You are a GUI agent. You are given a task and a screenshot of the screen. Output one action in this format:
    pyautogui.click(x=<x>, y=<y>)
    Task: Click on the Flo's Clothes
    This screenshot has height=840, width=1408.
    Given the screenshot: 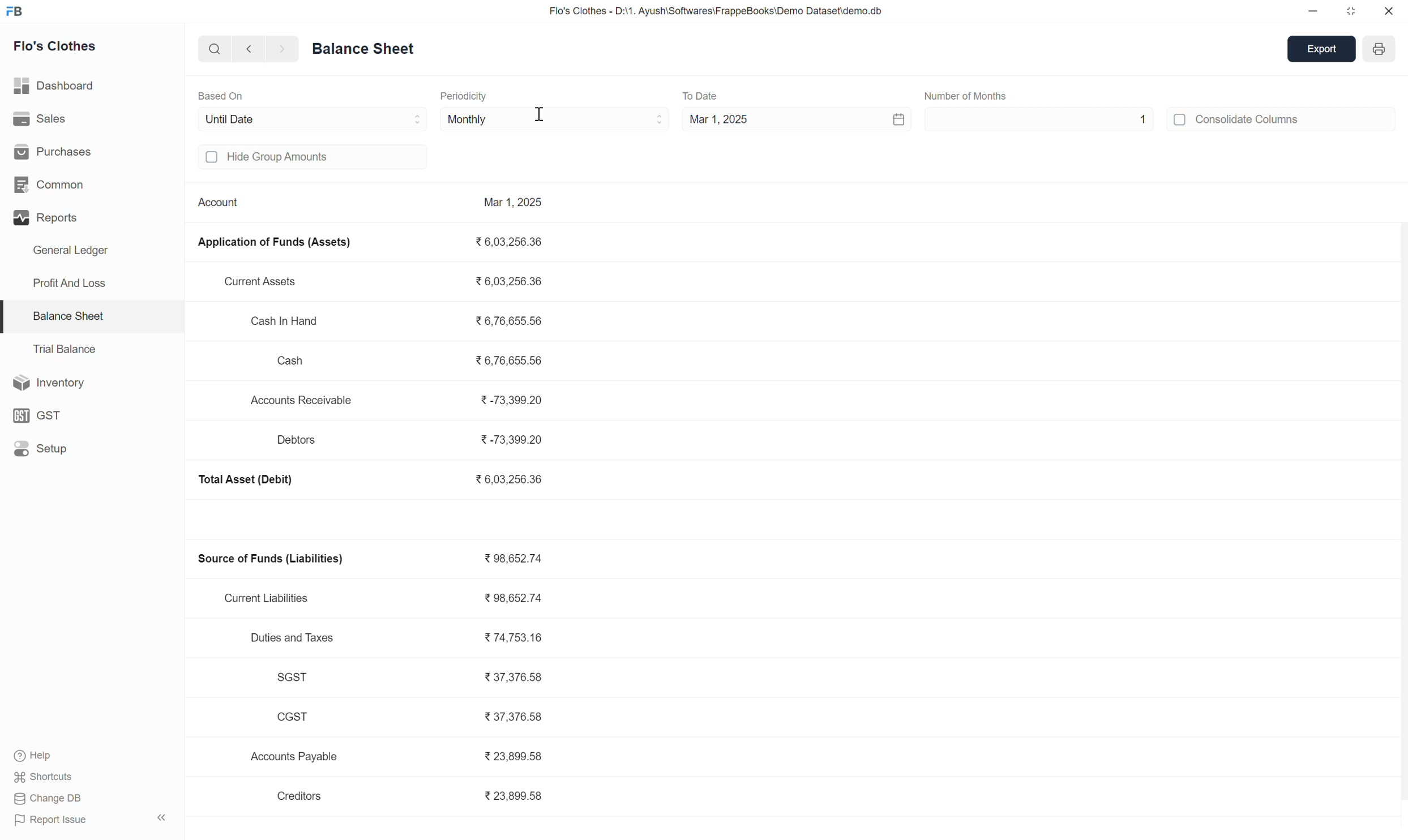 What is the action you would take?
    pyautogui.click(x=58, y=46)
    